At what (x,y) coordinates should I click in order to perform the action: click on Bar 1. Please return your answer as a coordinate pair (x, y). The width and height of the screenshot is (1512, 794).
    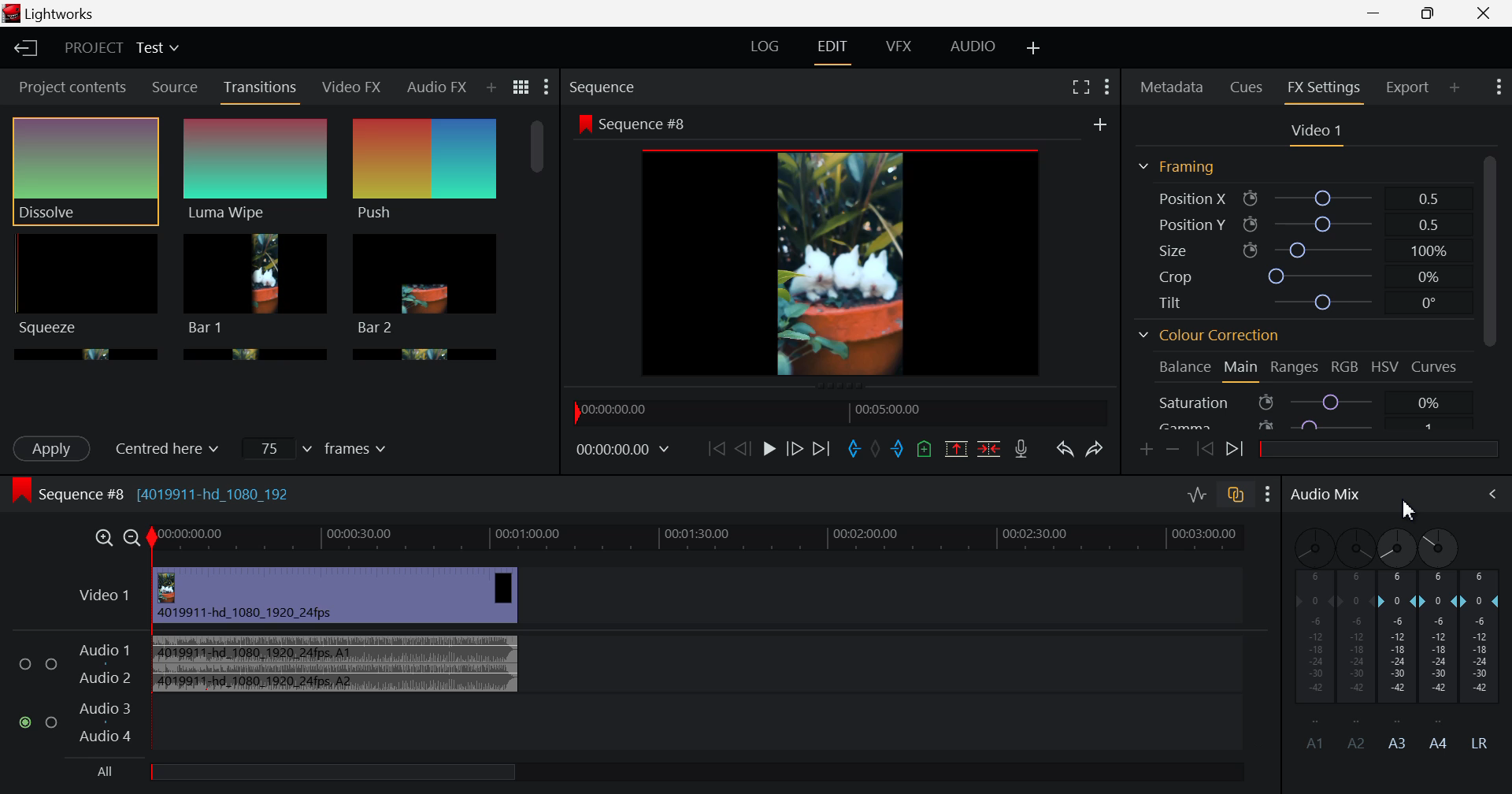
    Looking at the image, I should click on (425, 284).